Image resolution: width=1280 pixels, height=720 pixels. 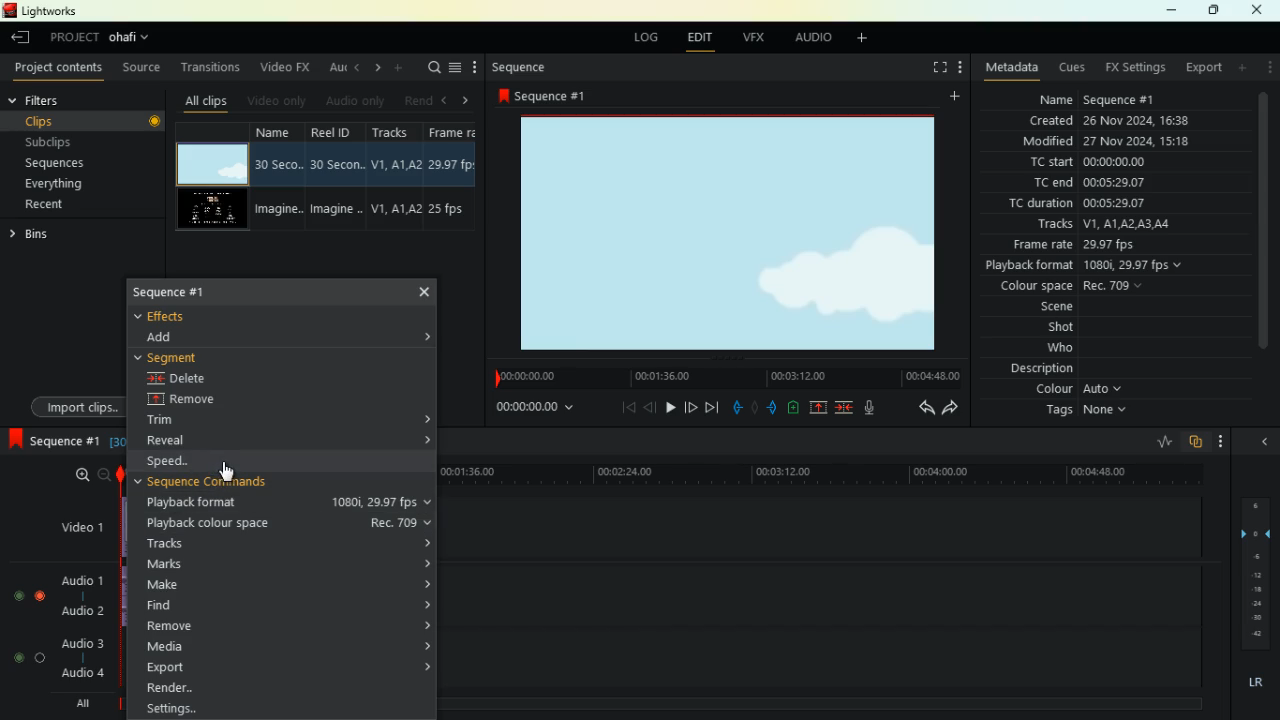 What do you see at coordinates (691, 409) in the screenshot?
I see `forward` at bounding box center [691, 409].